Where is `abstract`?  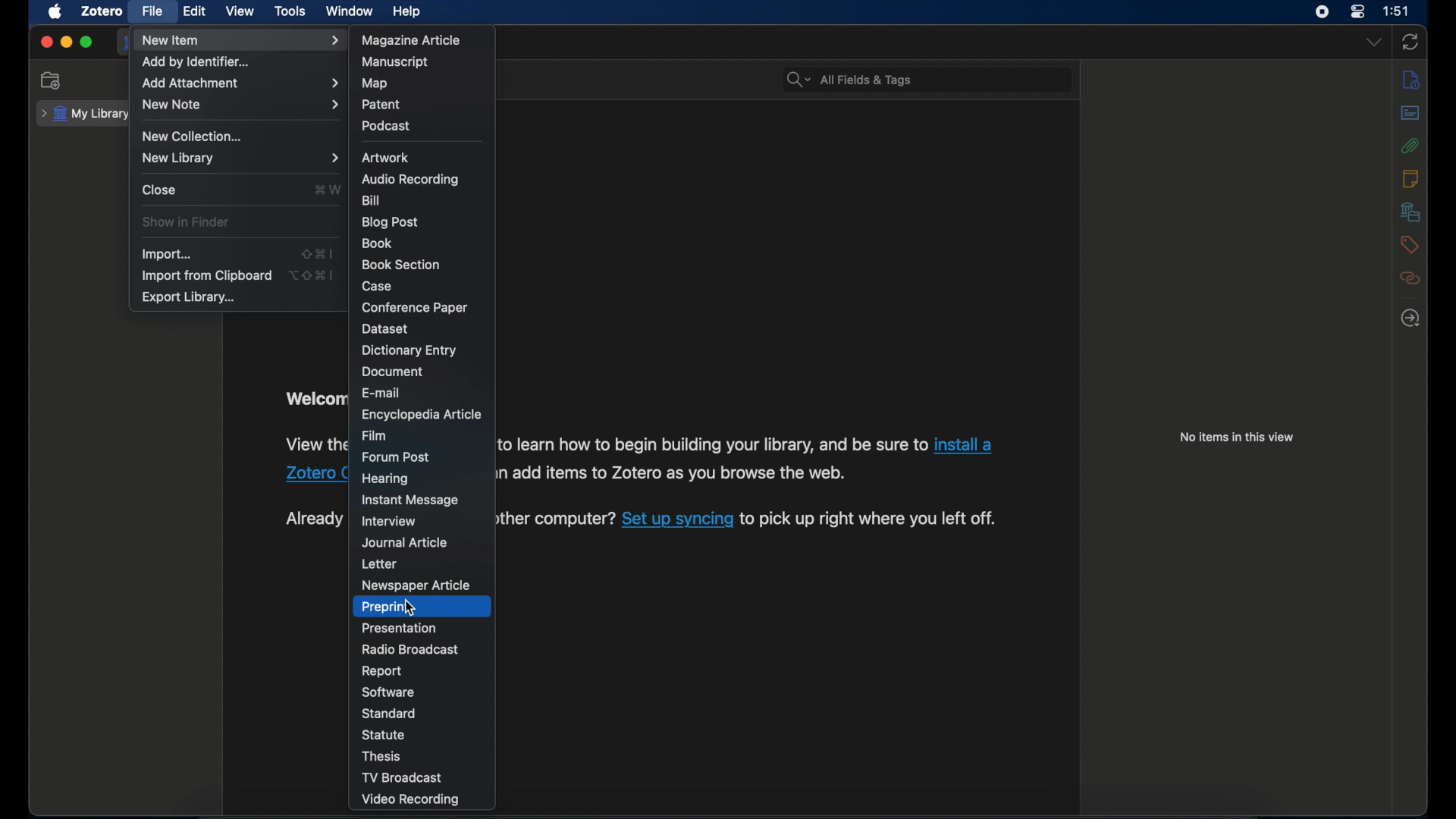 abstract is located at coordinates (1410, 112).